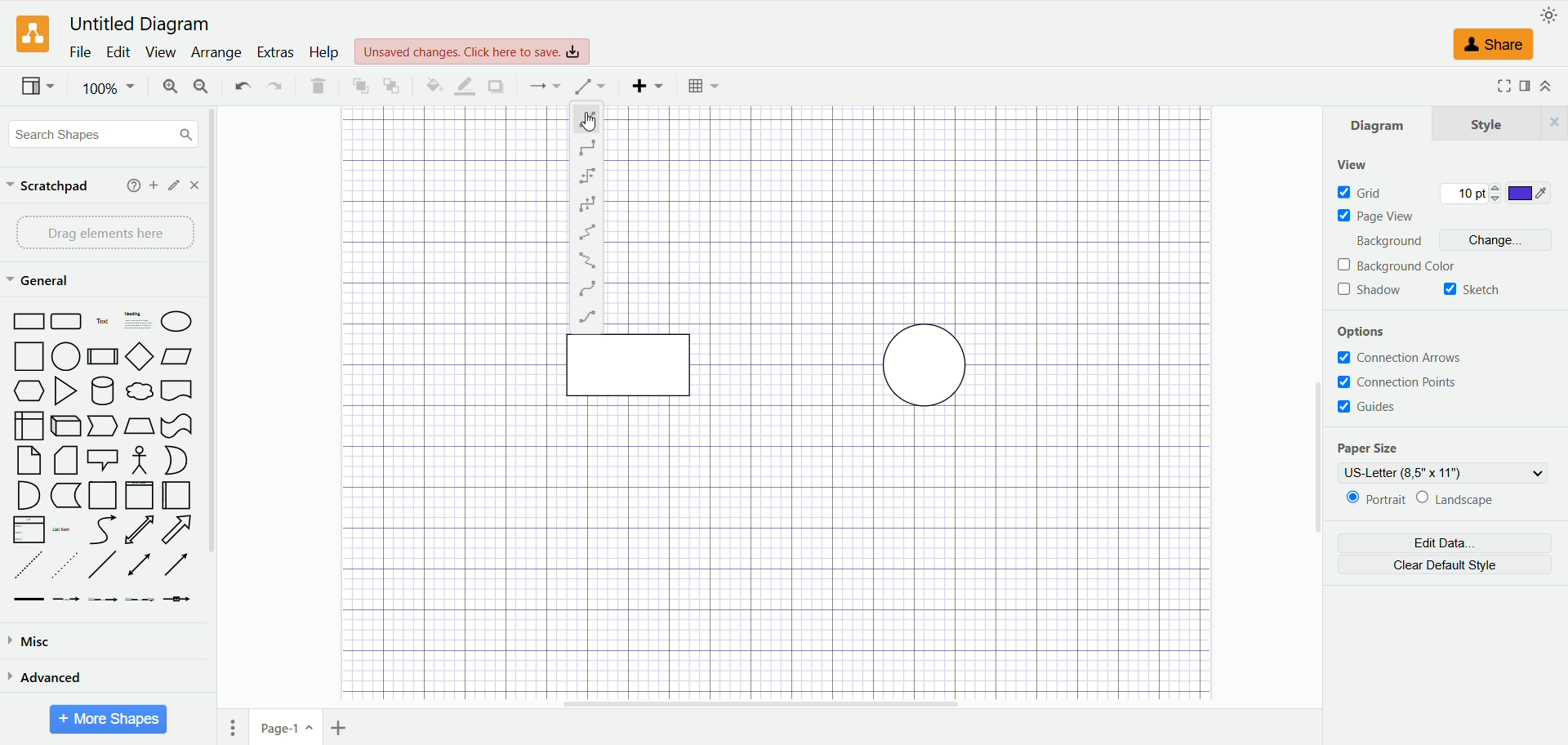  Describe the element at coordinates (29, 392) in the screenshot. I see `Hexagon` at that location.